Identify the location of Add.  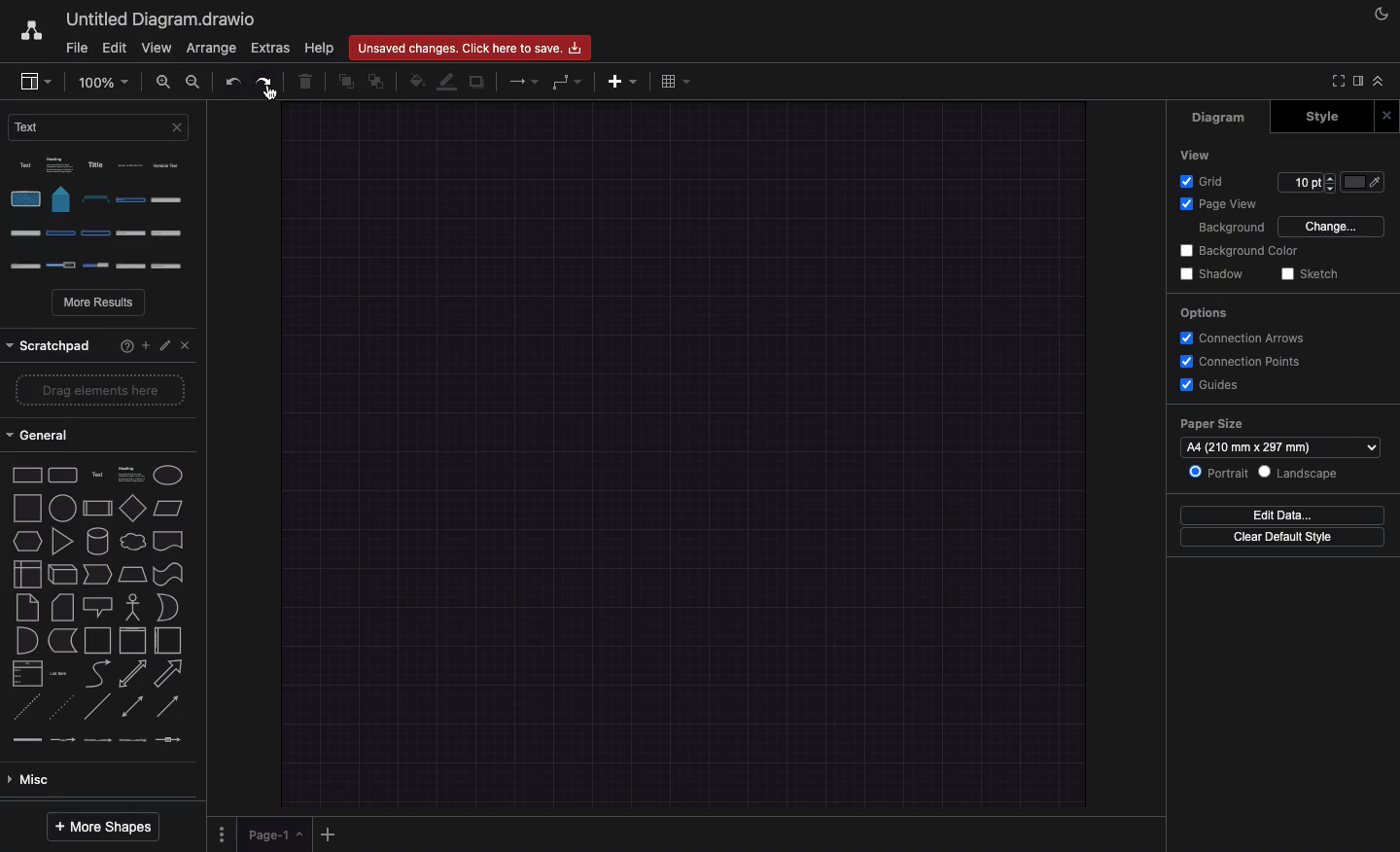
(145, 343).